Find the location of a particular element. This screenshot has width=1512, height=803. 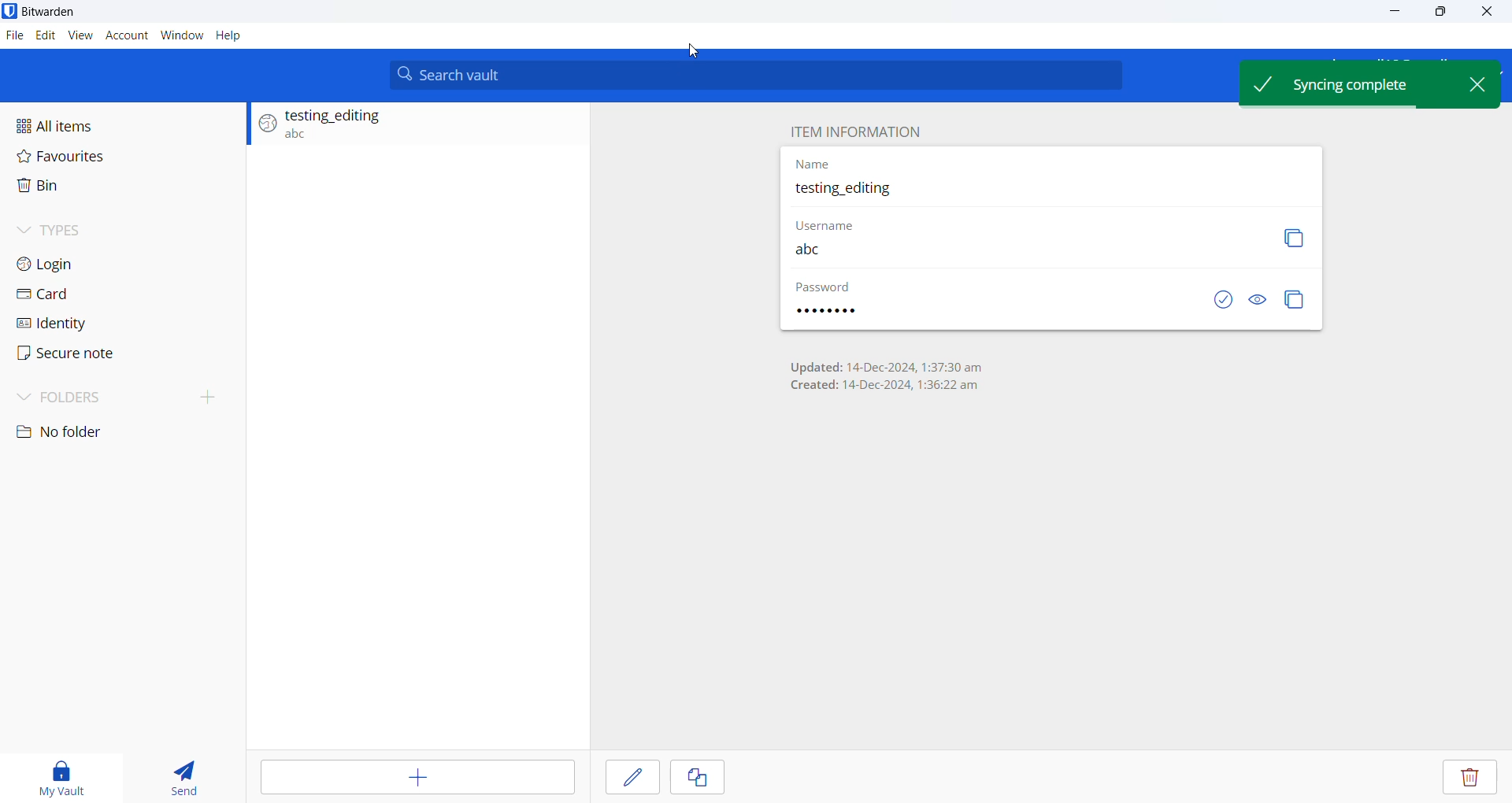

Visibility is located at coordinates (1258, 301).